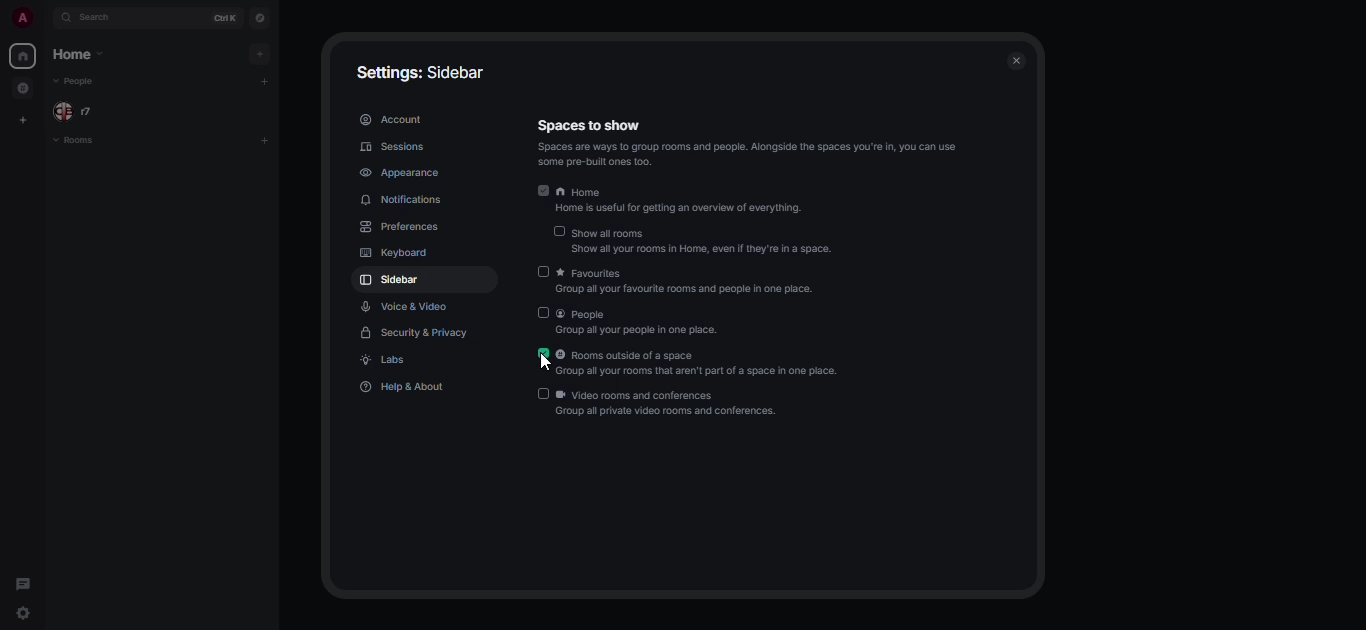 The width and height of the screenshot is (1366, 630). Describe the element at coordinates (687, 272) in the screenshot. I see `favorites` at that location.